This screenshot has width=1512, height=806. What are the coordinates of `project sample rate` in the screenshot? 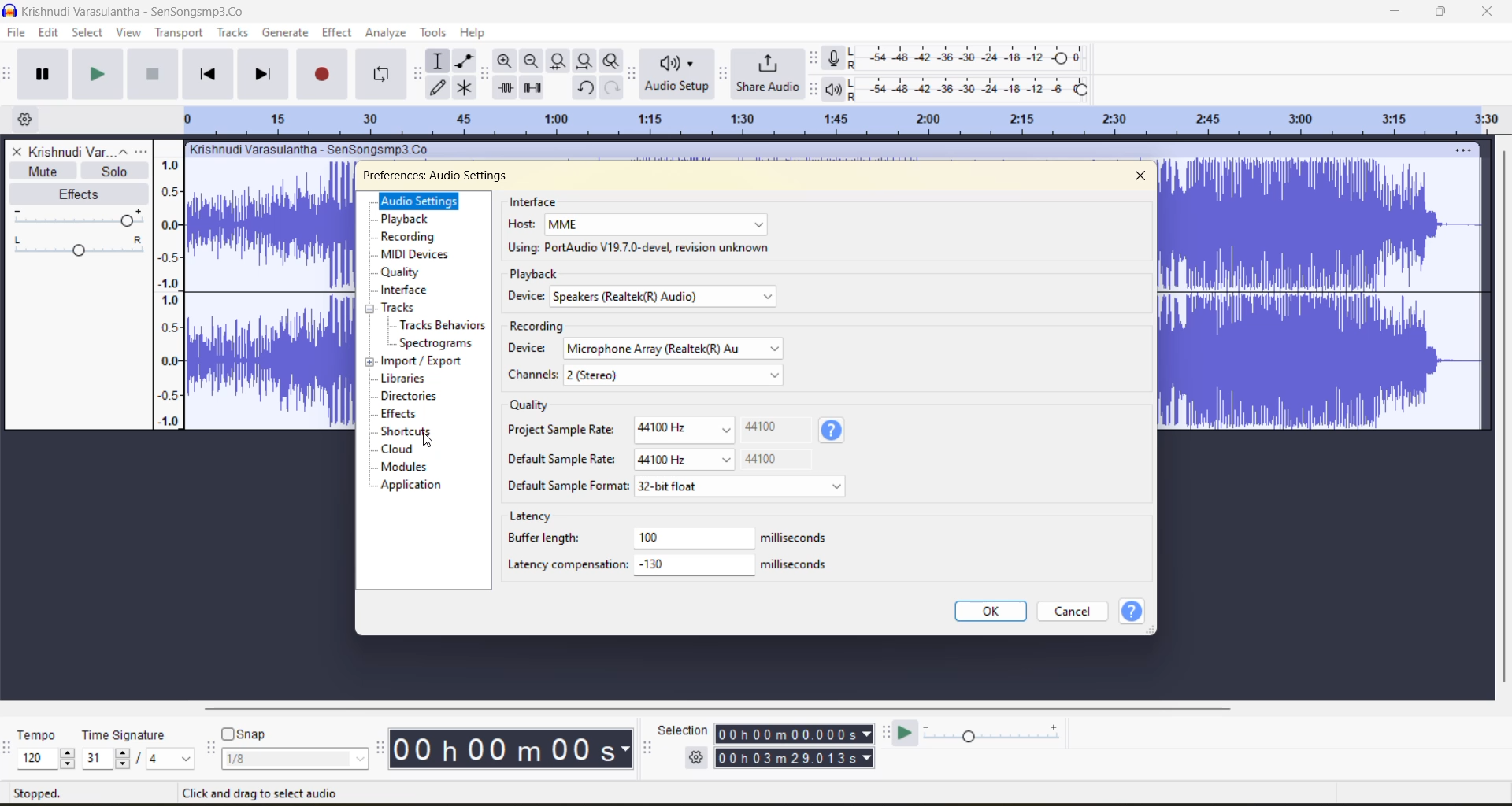 It's located at (639, 426).